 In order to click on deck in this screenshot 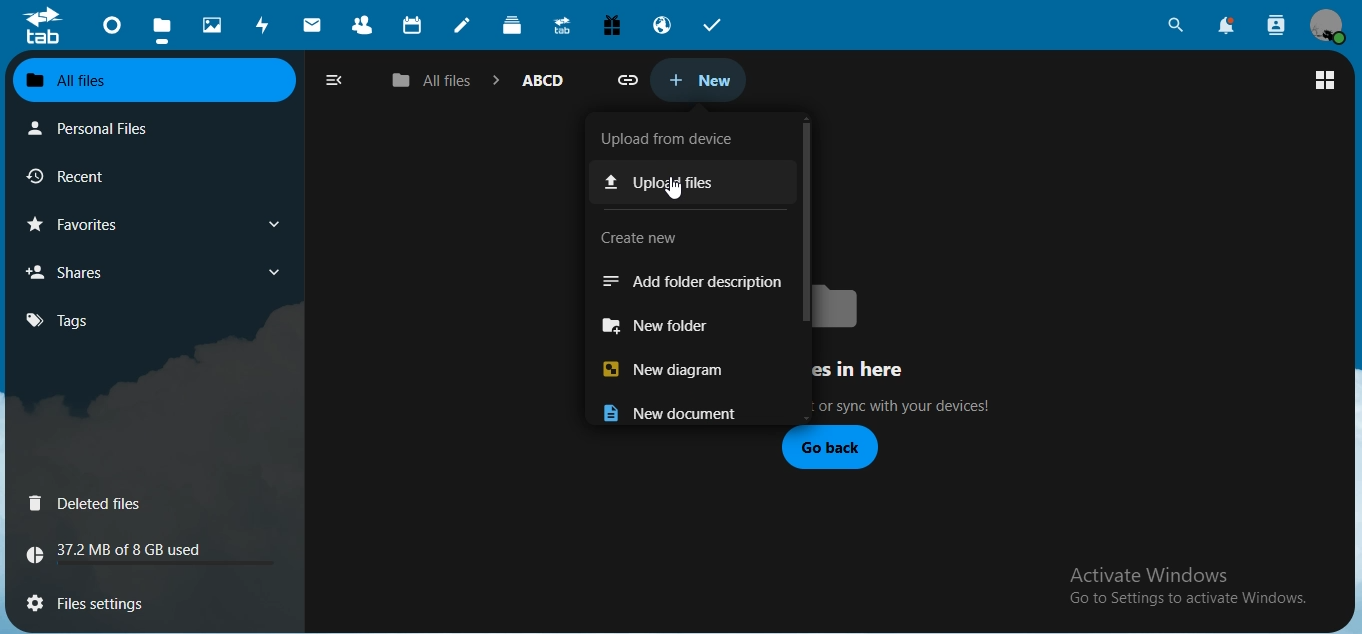, I will do `click(515, 28)`.